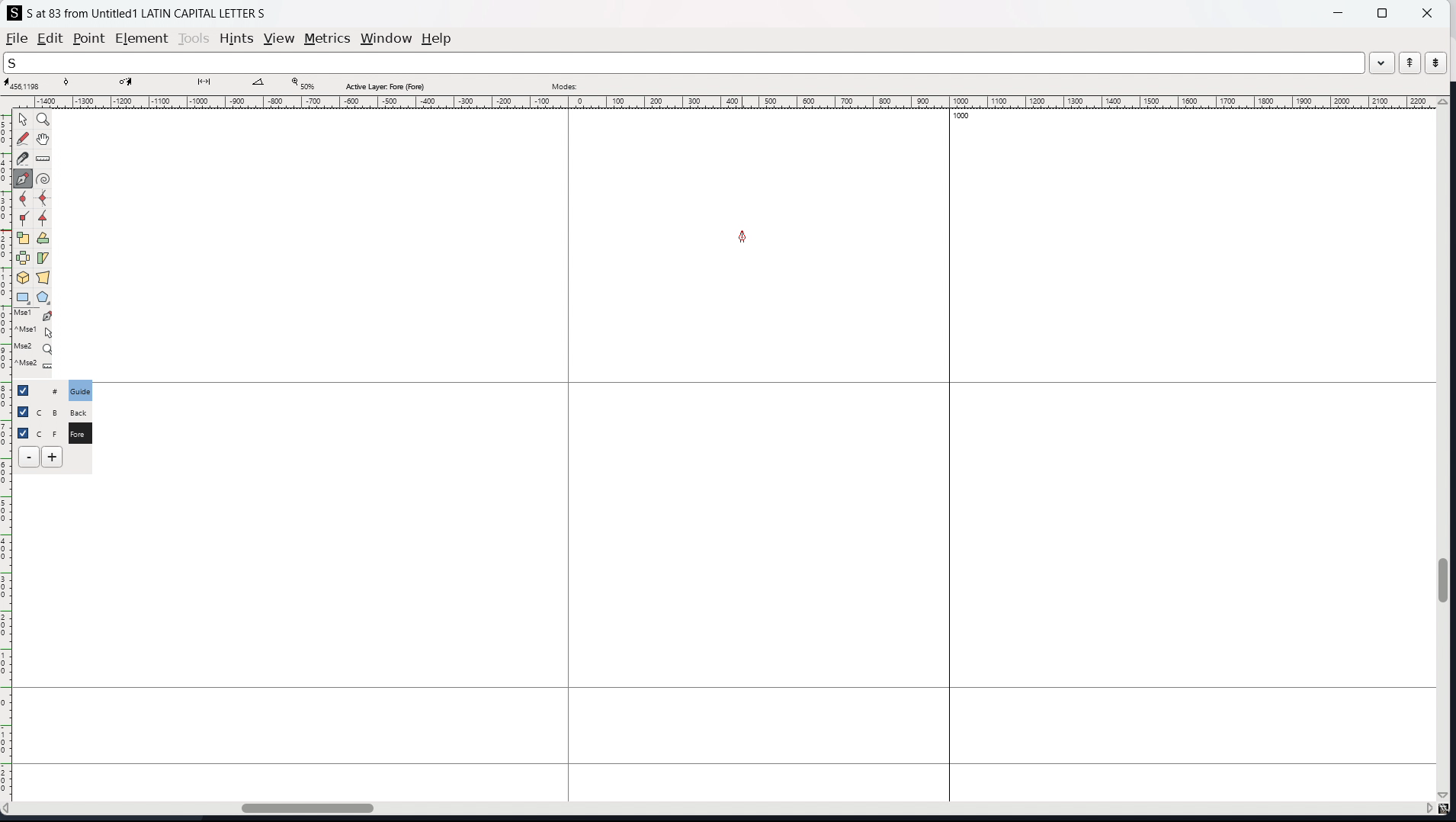 The height and width of the screenshot is (822, 1456). What do you see at coordinates (149, 12) in the screenshot?
I see `S at 83 from Untitled 1 LATIN CAPITAL LETTER S` at bounding box center [149, 12].